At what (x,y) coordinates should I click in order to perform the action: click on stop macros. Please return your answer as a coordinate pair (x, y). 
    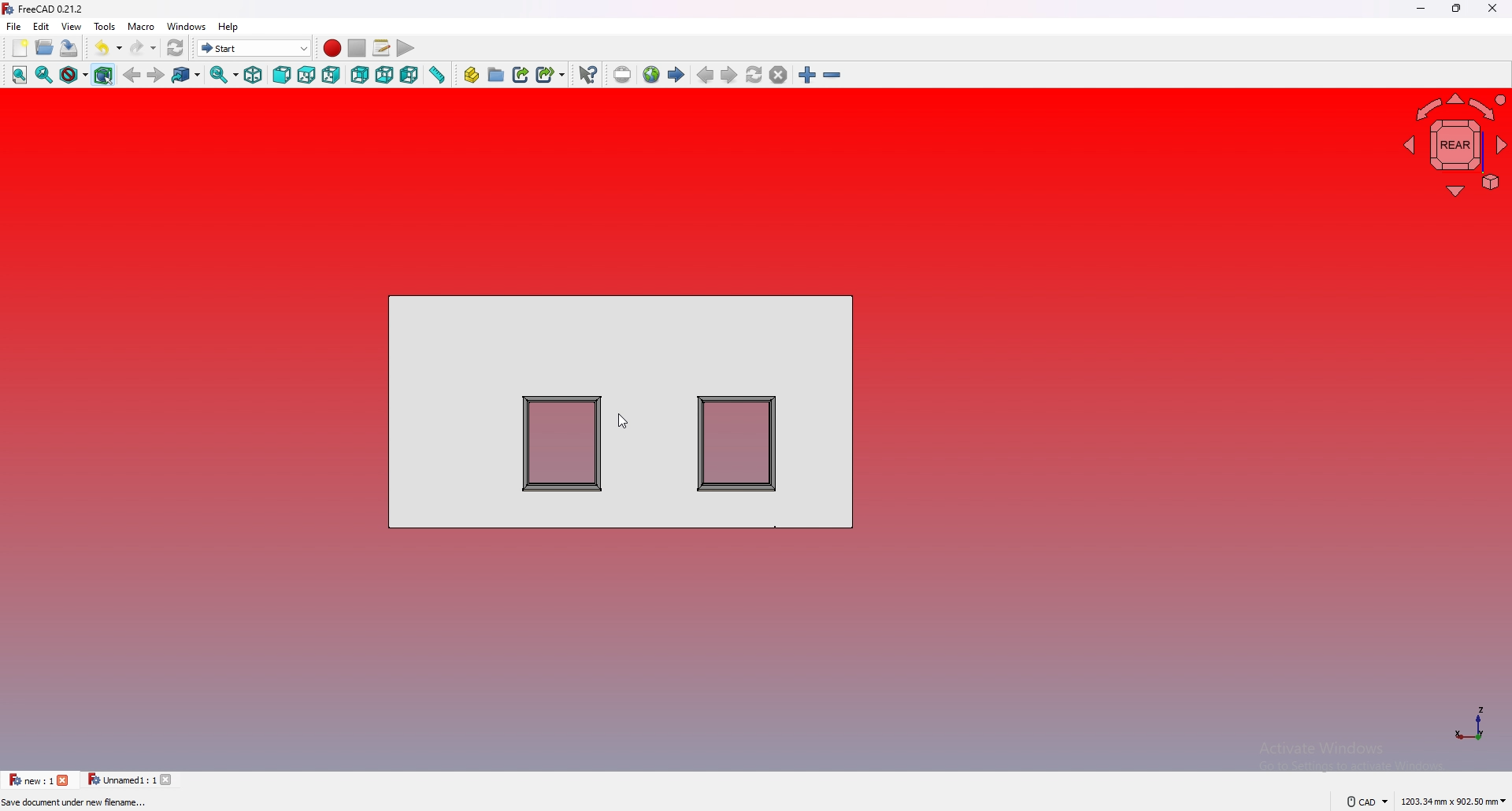
    Looking at the image, I should click on (357, 48).